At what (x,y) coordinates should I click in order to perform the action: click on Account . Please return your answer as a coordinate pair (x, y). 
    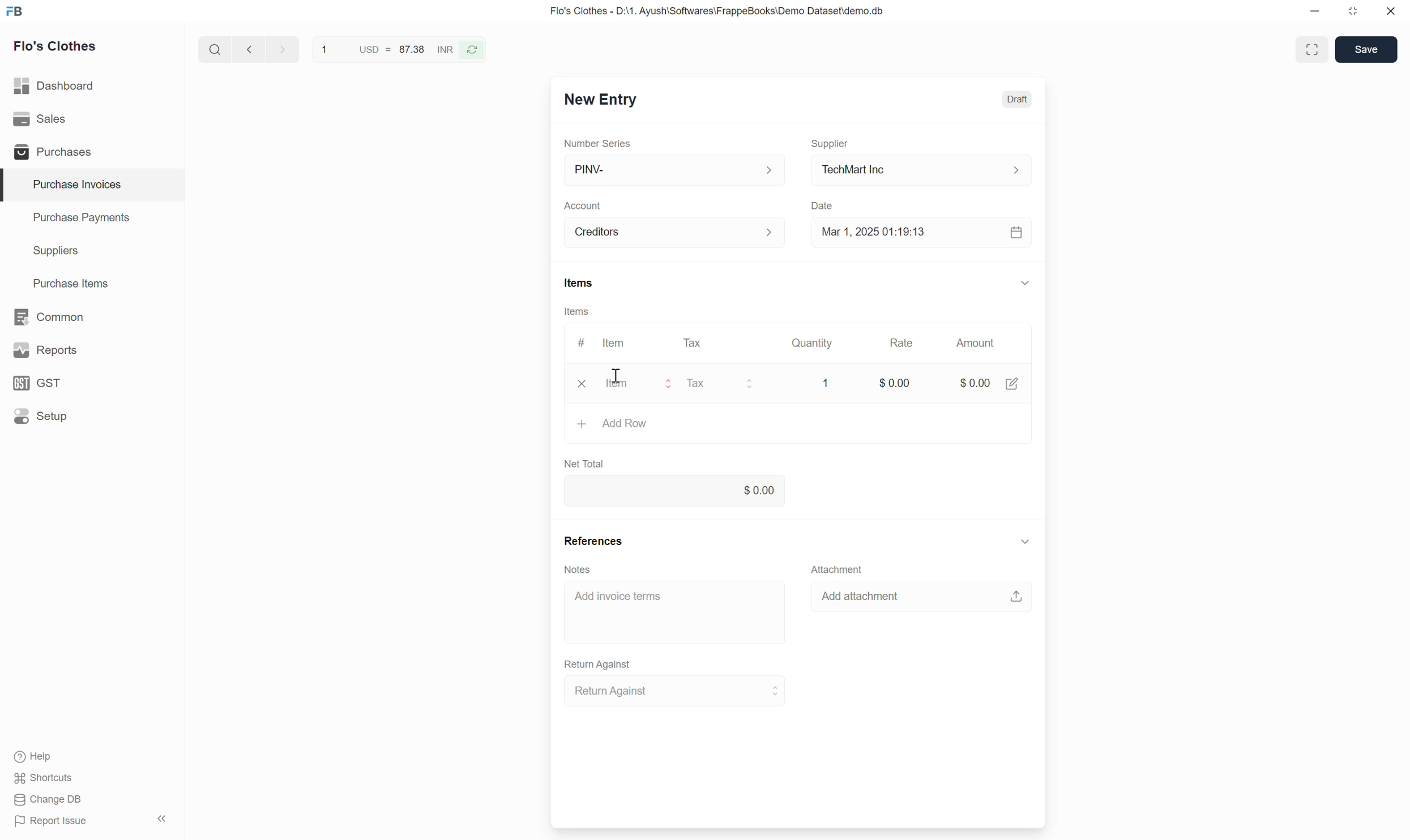
    Looking at the image, I should click on (675, 230).